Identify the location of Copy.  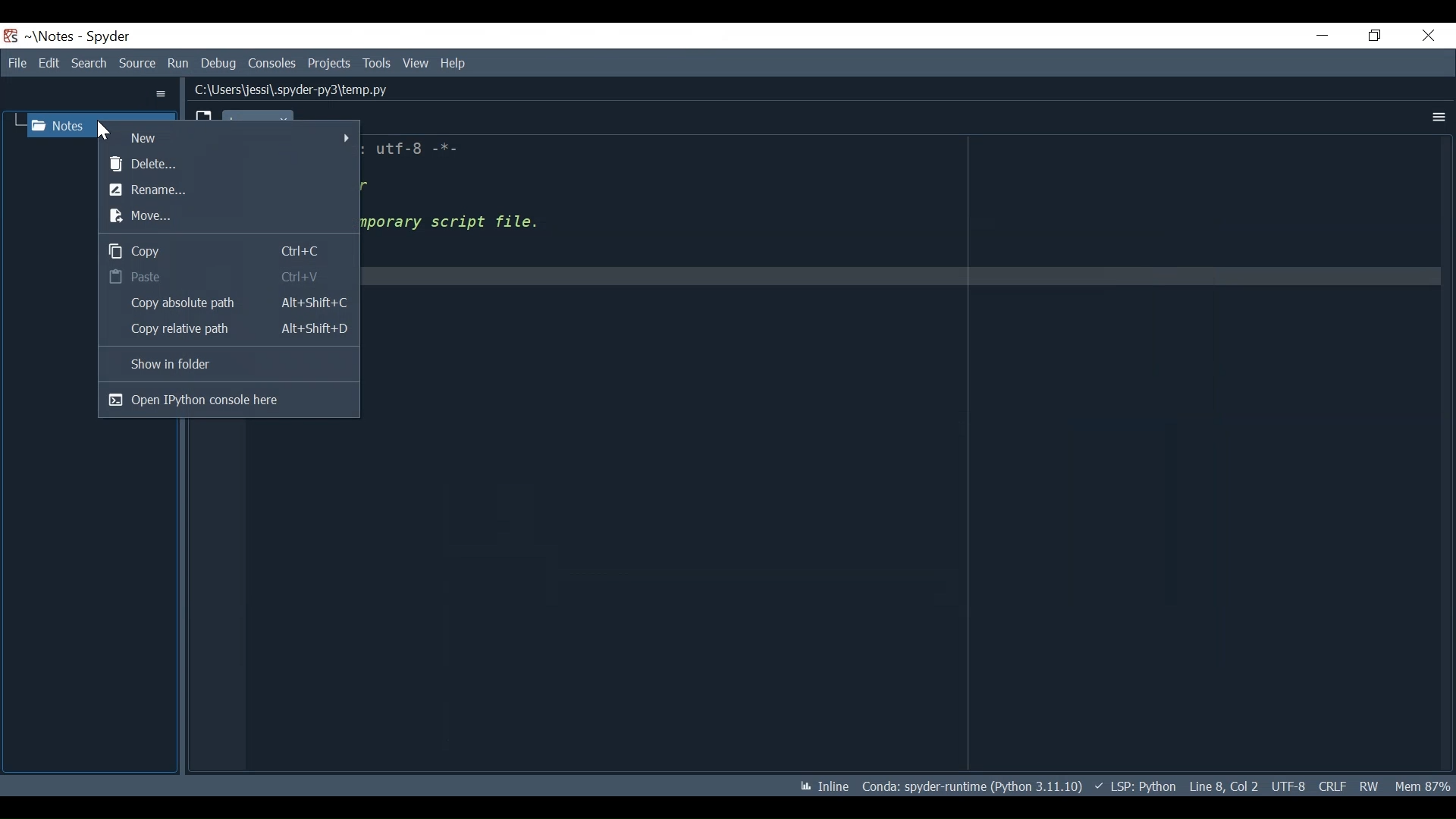
(226, 249).